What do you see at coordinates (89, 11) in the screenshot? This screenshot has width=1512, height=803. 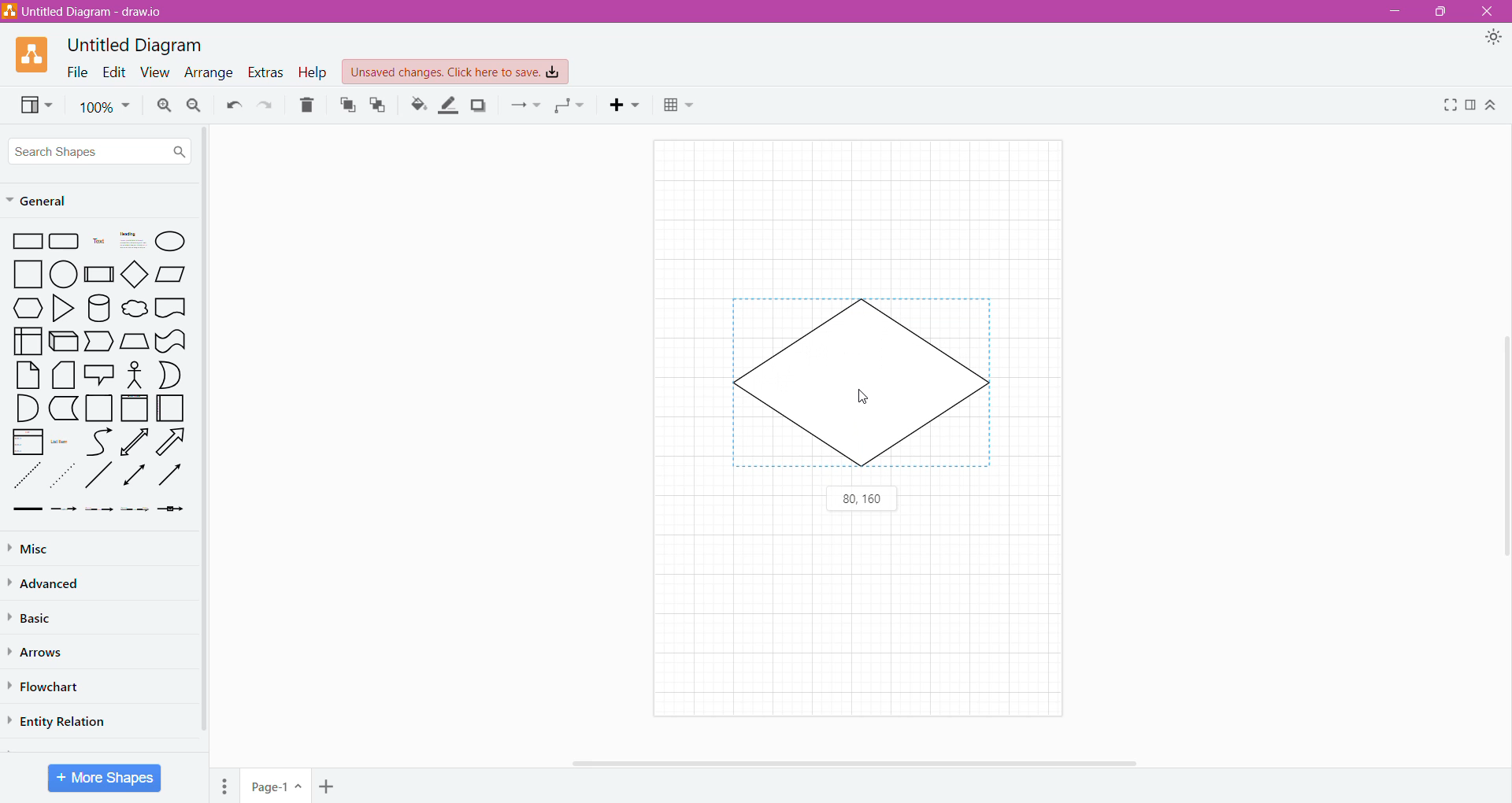 I see `Untitled Diagram - draw.io` at bounding box center [89, 11].